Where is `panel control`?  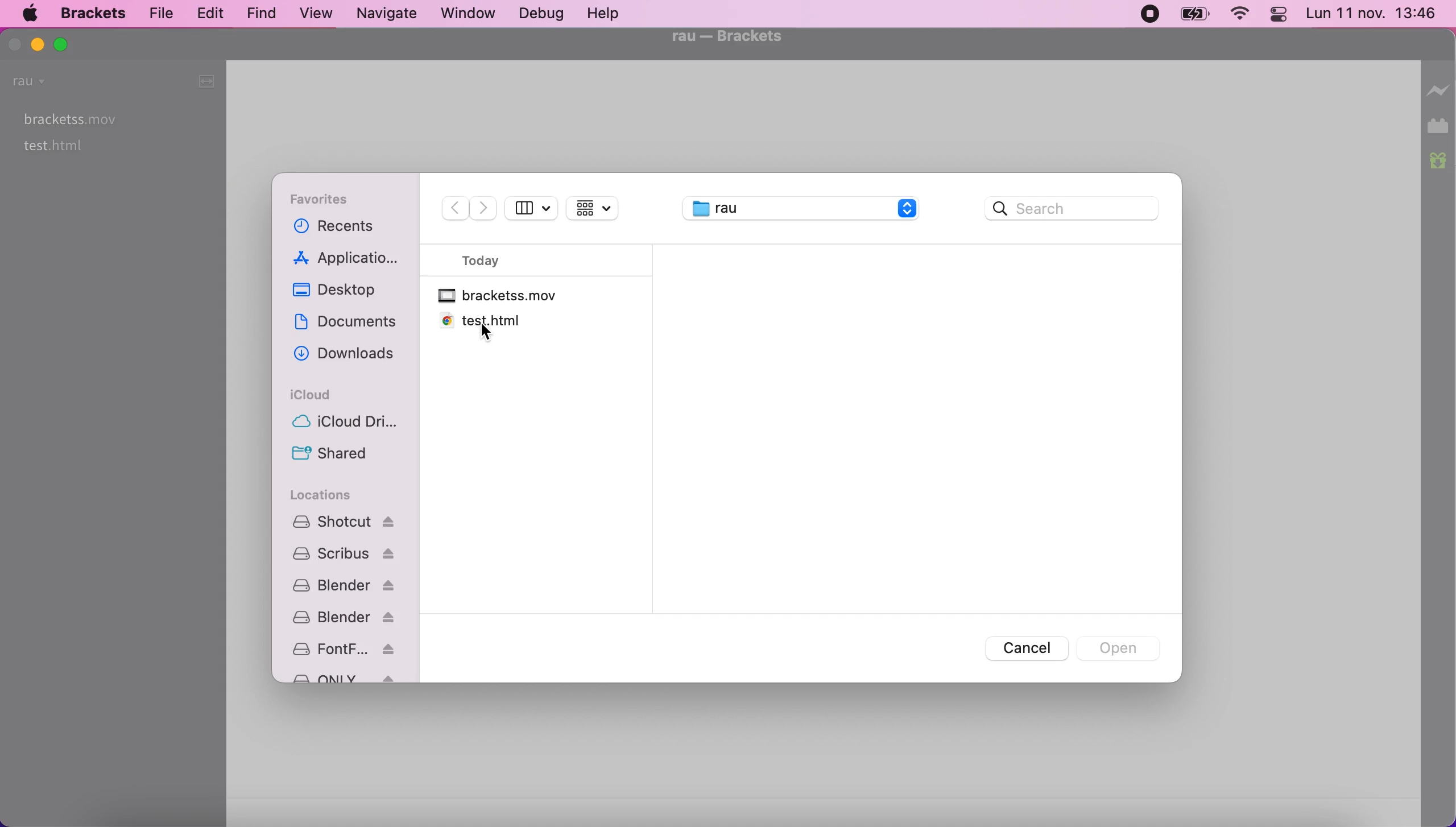 panel control is located at coordinates (1277, 14).